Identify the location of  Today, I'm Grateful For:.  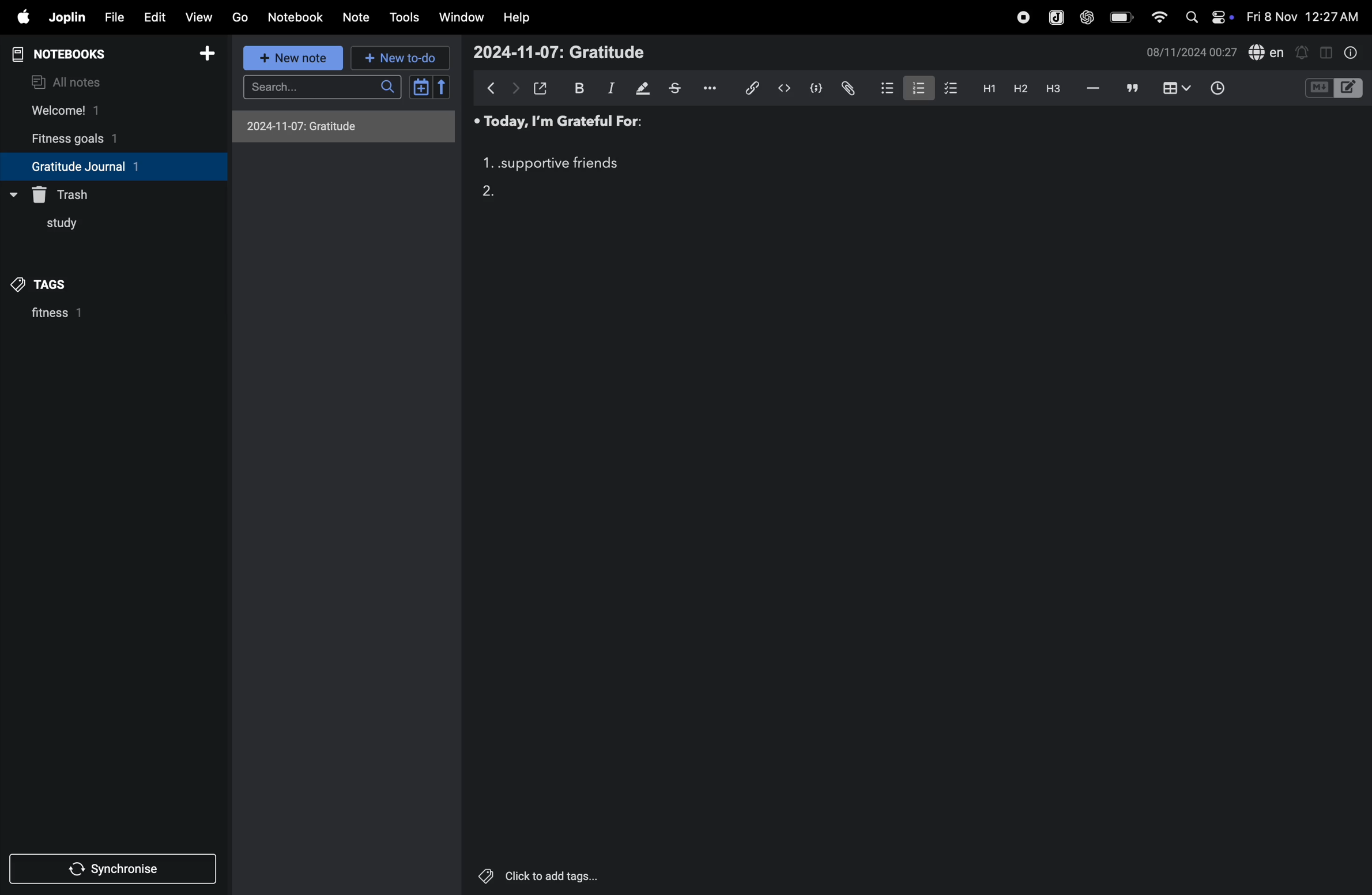
(553, 122).